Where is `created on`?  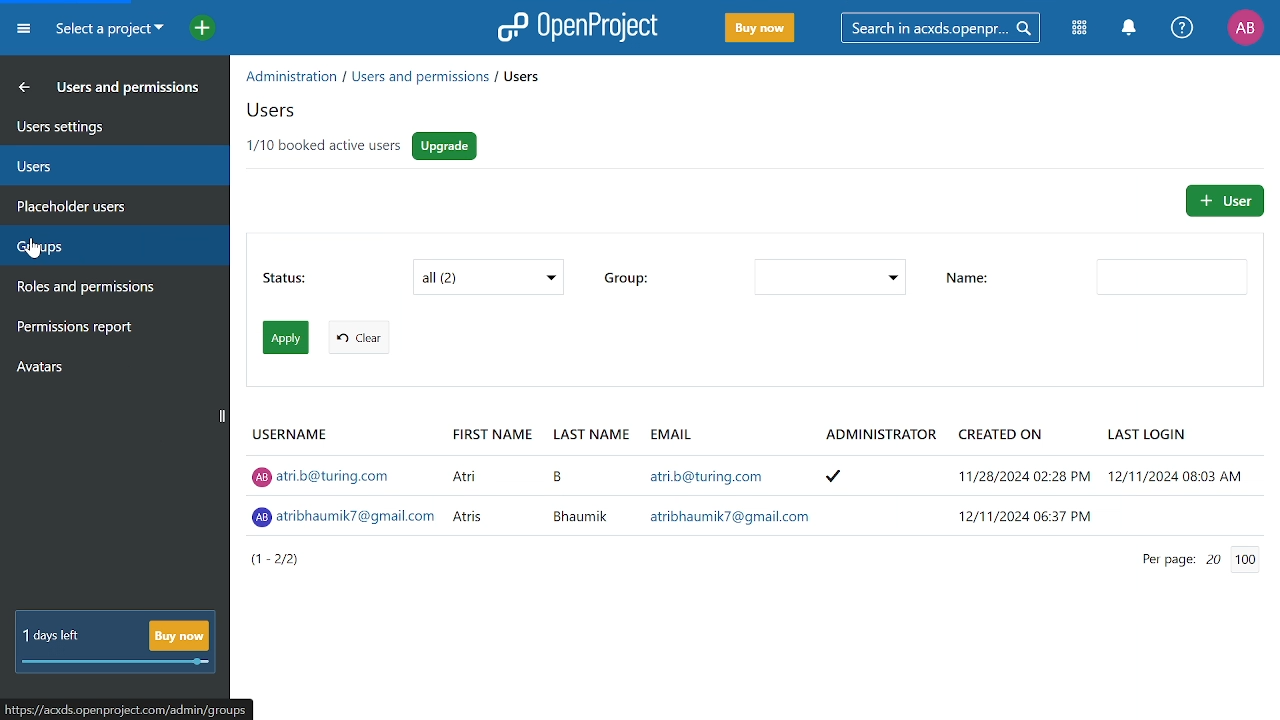
created on is located at coordinates (1013, 495).